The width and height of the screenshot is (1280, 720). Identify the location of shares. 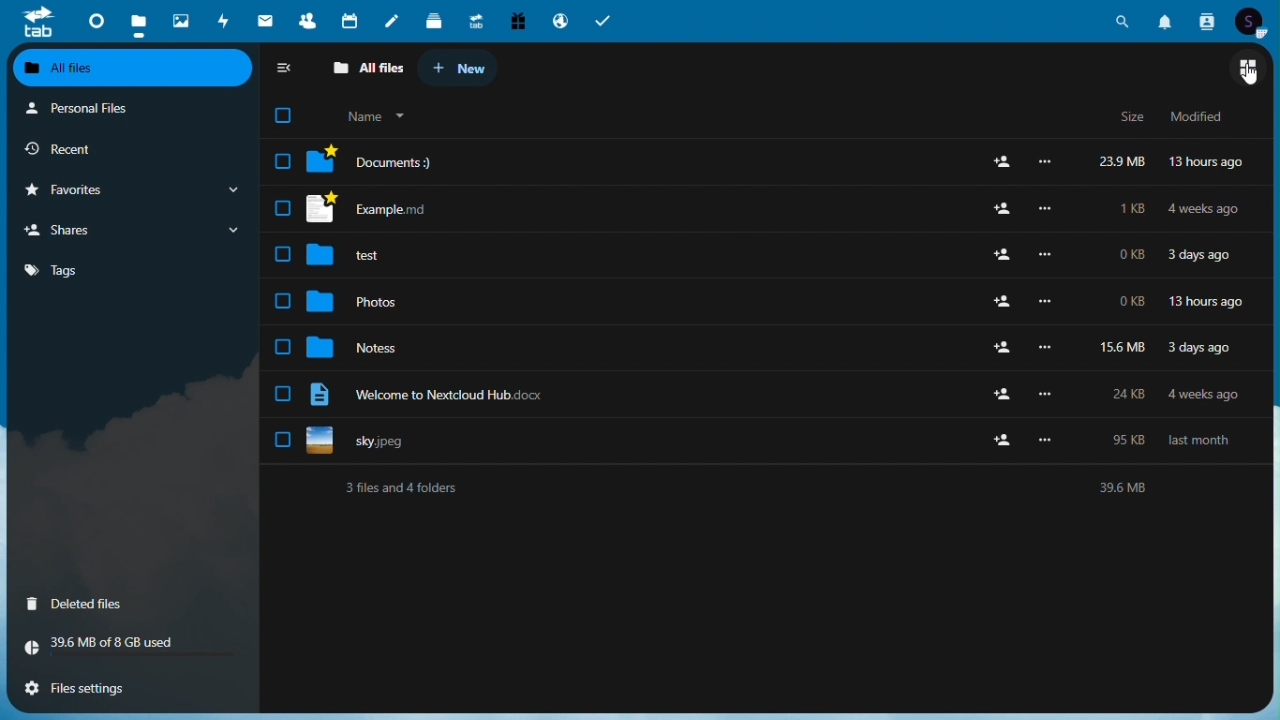
(129, 229).